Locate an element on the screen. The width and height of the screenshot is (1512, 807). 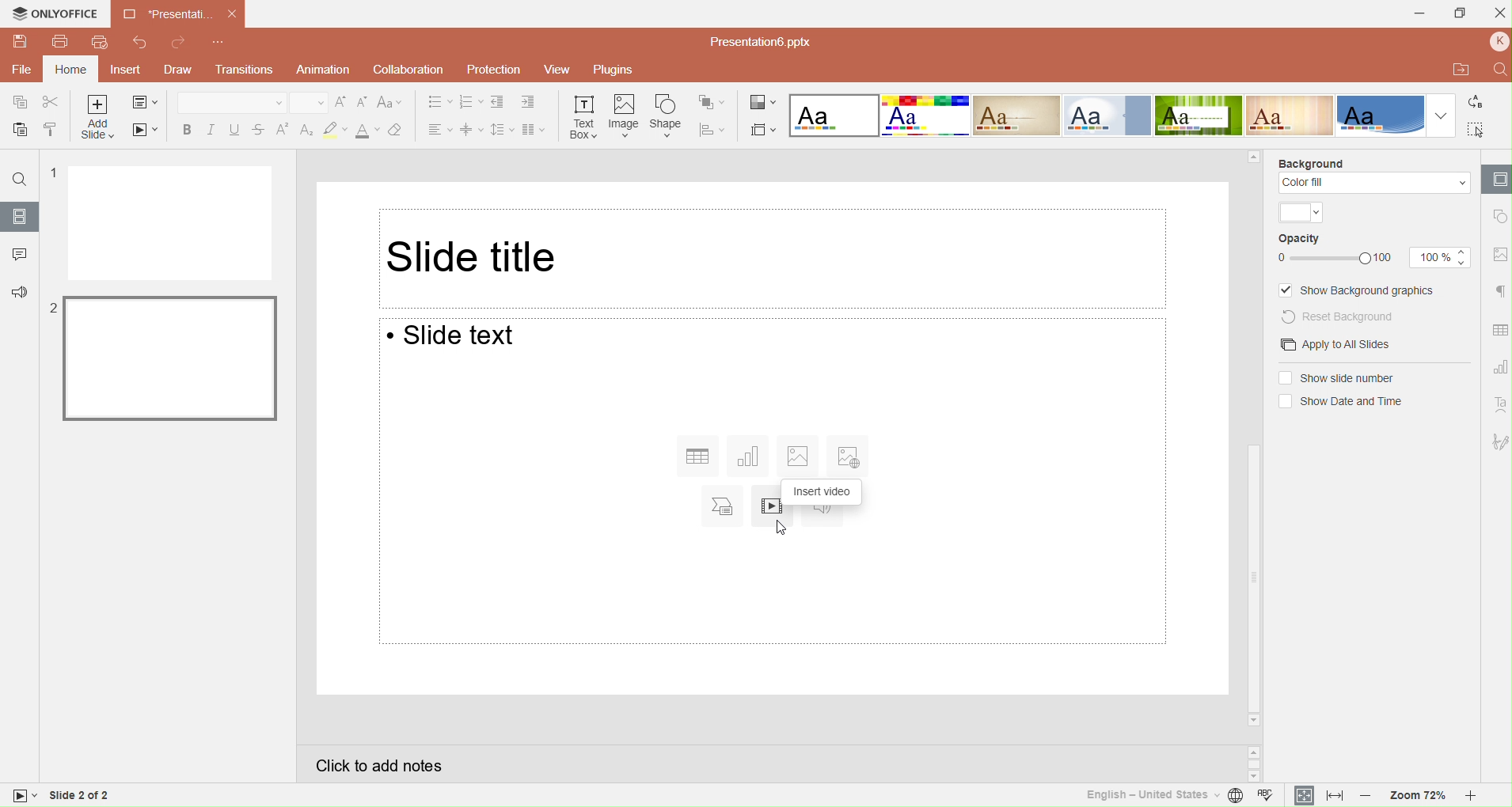
Set text language is located at coordinates (1149, 795).